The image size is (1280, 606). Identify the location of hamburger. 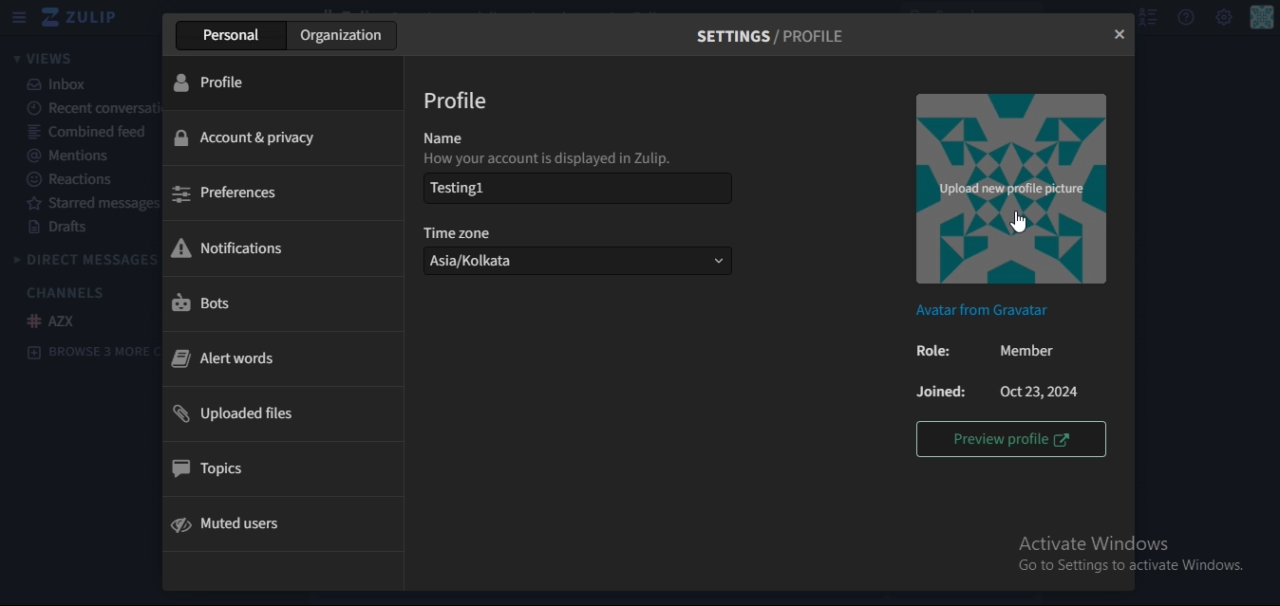
(18, 19).